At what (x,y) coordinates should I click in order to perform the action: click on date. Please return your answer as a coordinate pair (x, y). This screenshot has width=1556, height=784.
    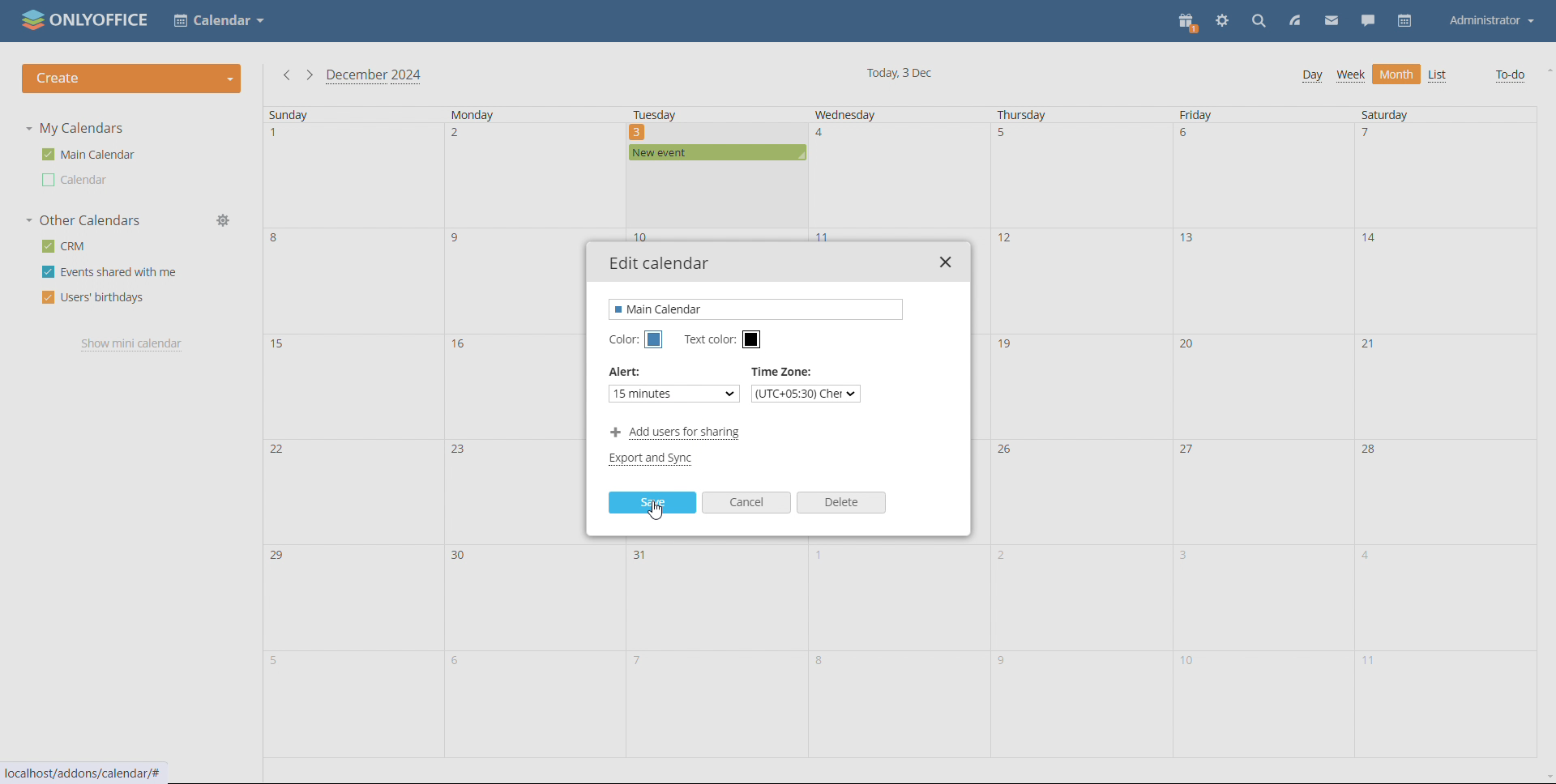
    Looking at the image, I should click on (532, 599).